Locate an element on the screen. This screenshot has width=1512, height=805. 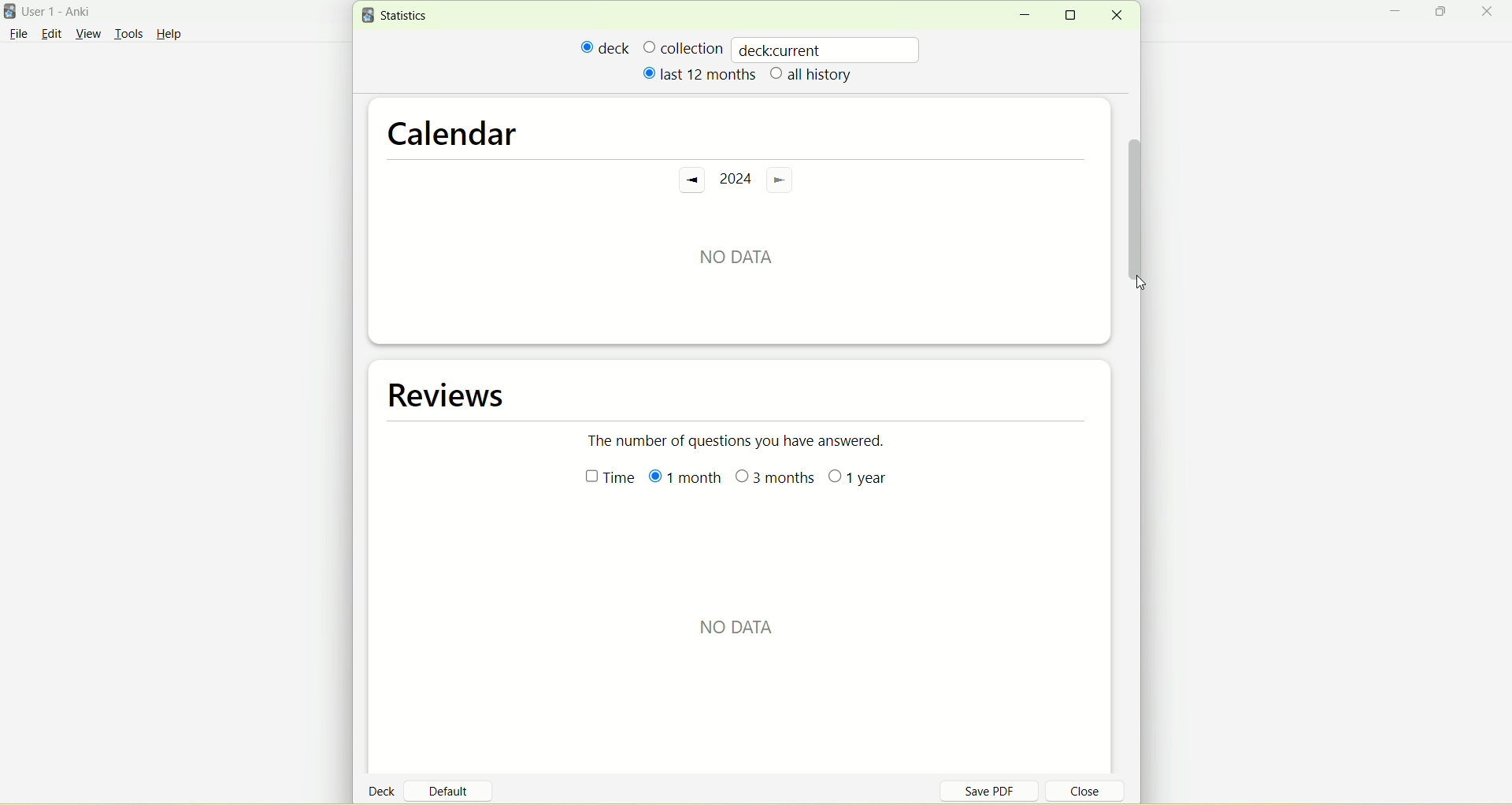
maximize is located at coordinates (1076, 15).